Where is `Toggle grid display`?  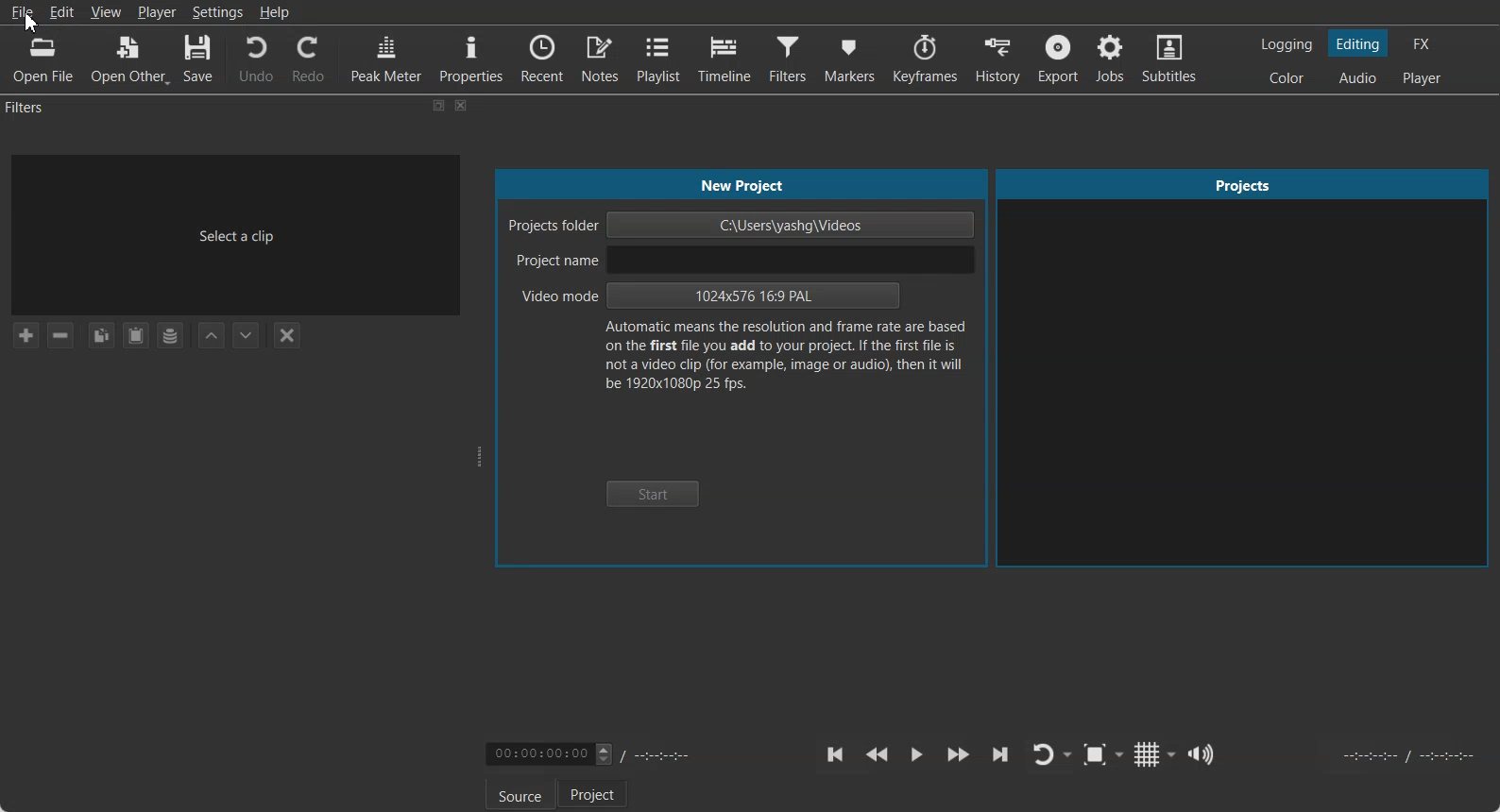 Toggle grid display is located at coordinates (1156, 753).